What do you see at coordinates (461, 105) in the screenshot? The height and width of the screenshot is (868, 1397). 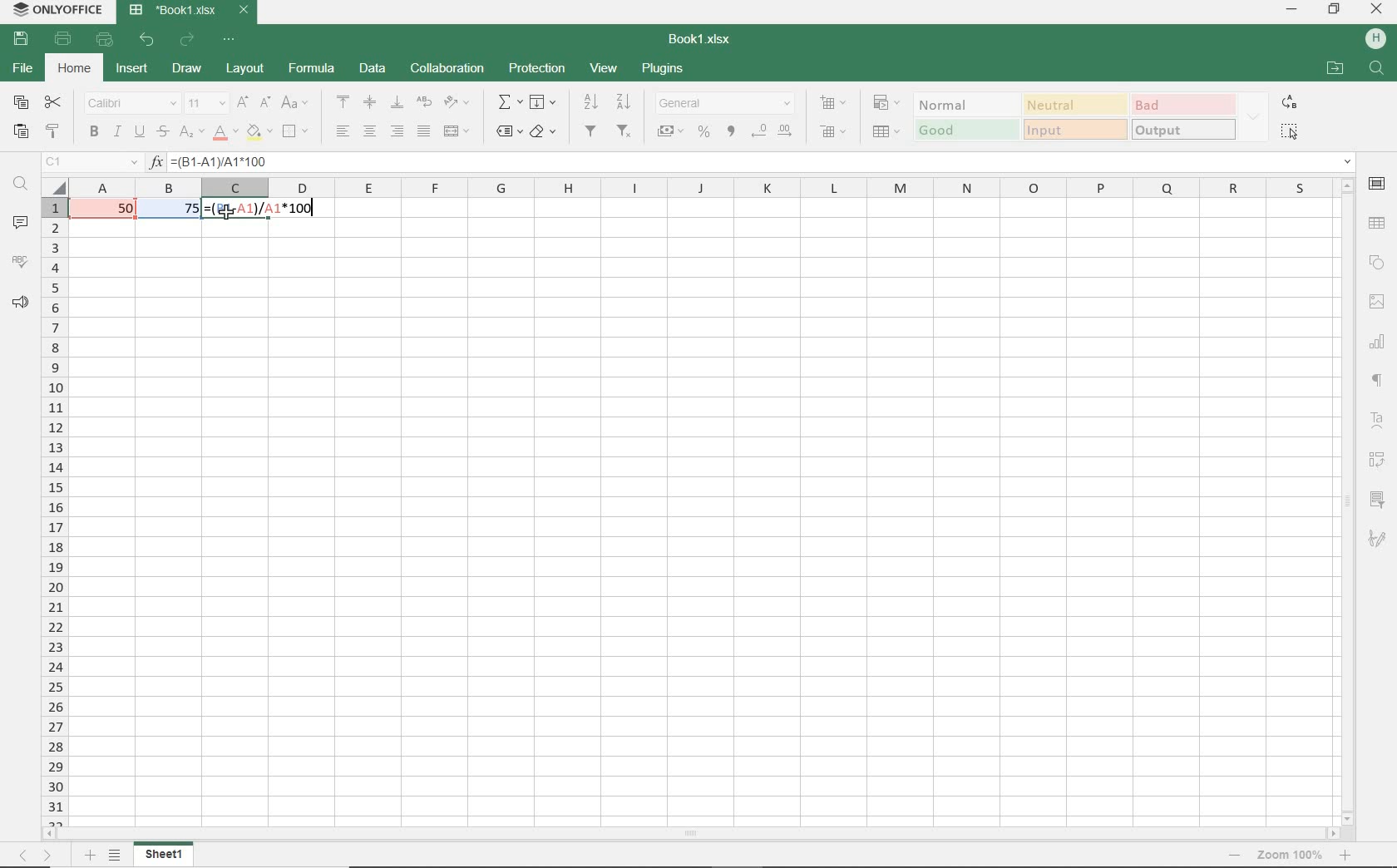 I see `orientation` at bounding box center [461, 105].